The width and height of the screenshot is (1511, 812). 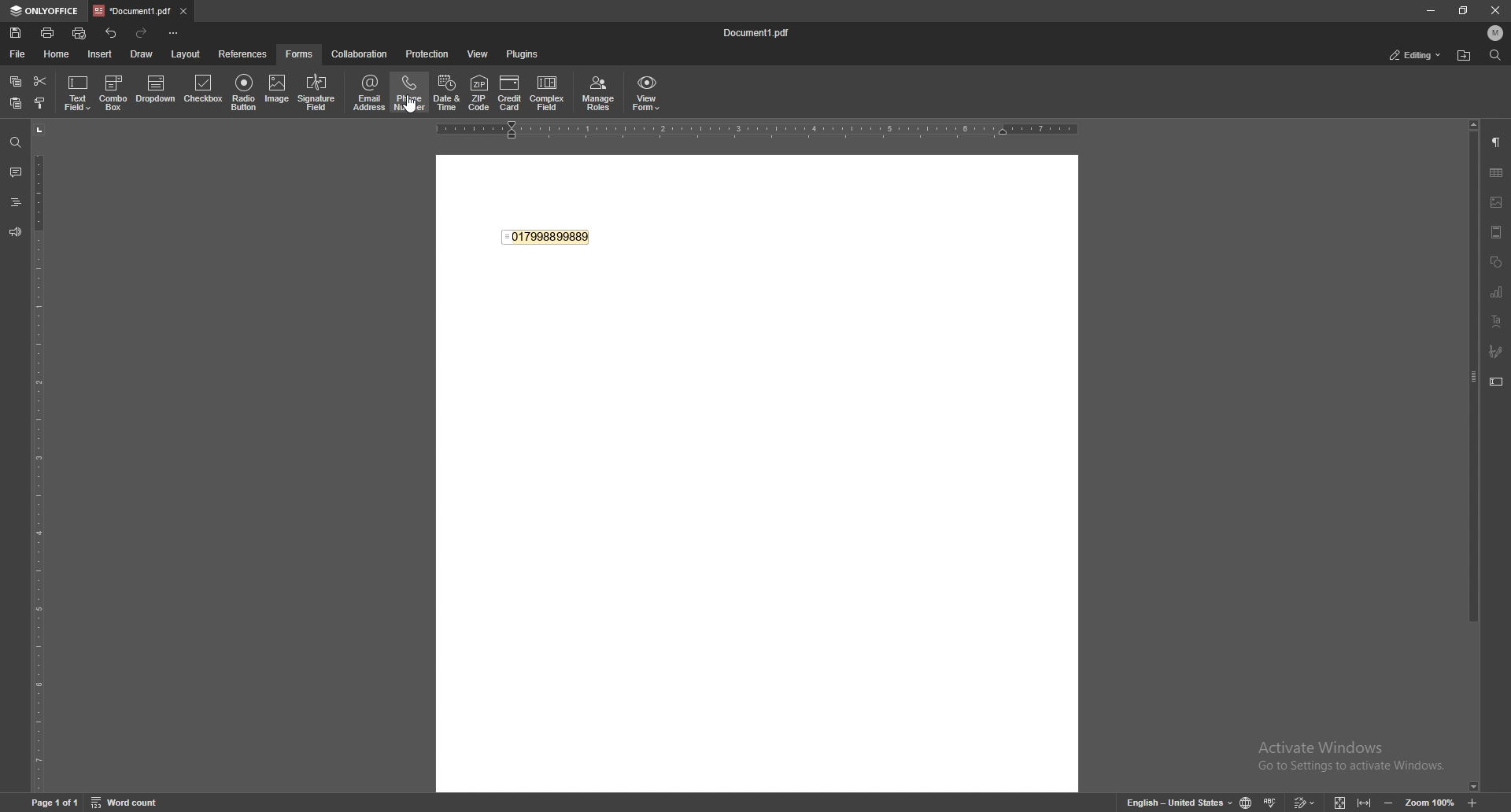 What do you see at coordinates (599, 94) in the screenshot?
I see `manage roles` at bounding box center [599, 94].